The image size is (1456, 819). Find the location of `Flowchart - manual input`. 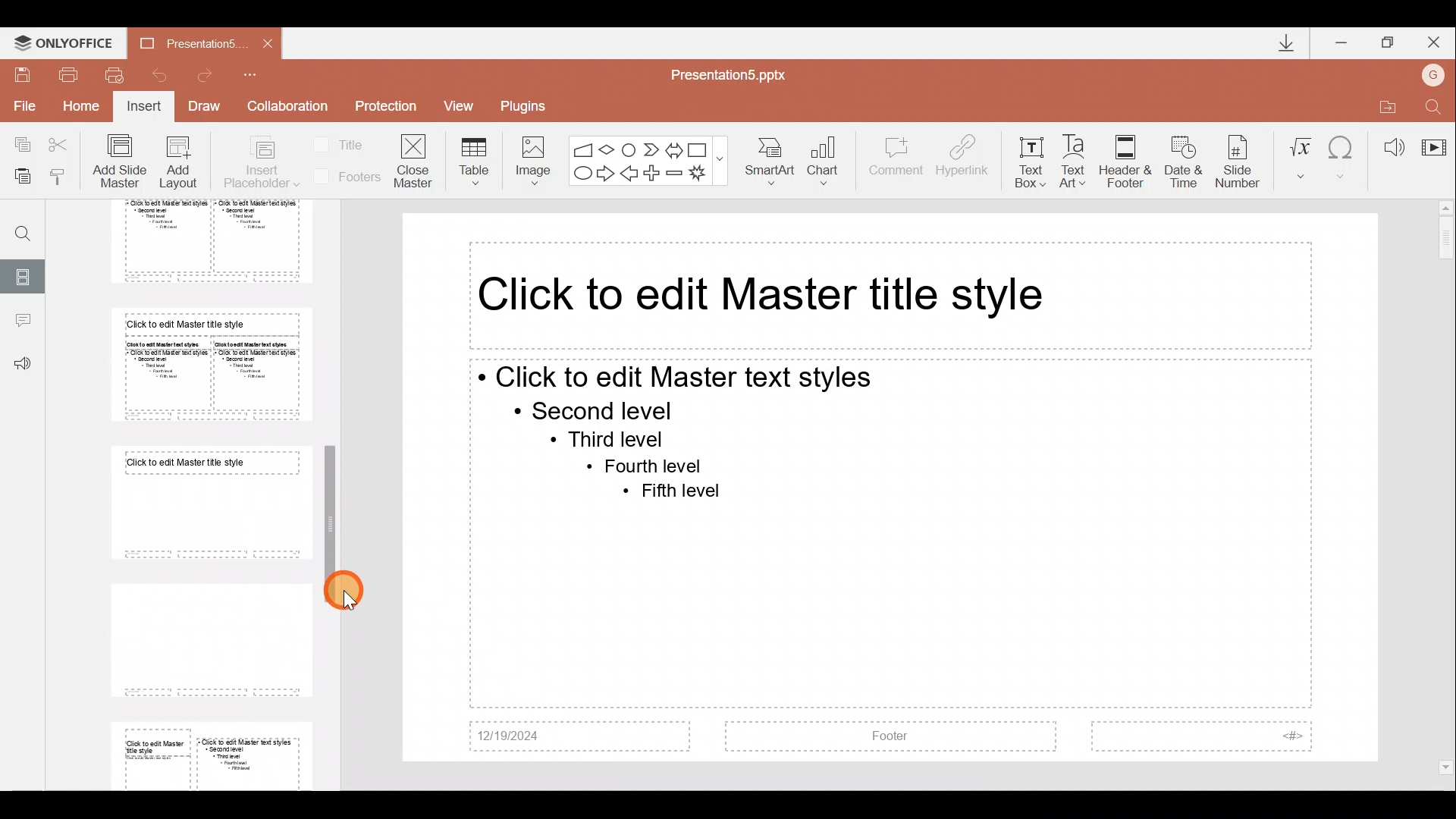

Flowchart - manual input is located at coordinates (582, 147).